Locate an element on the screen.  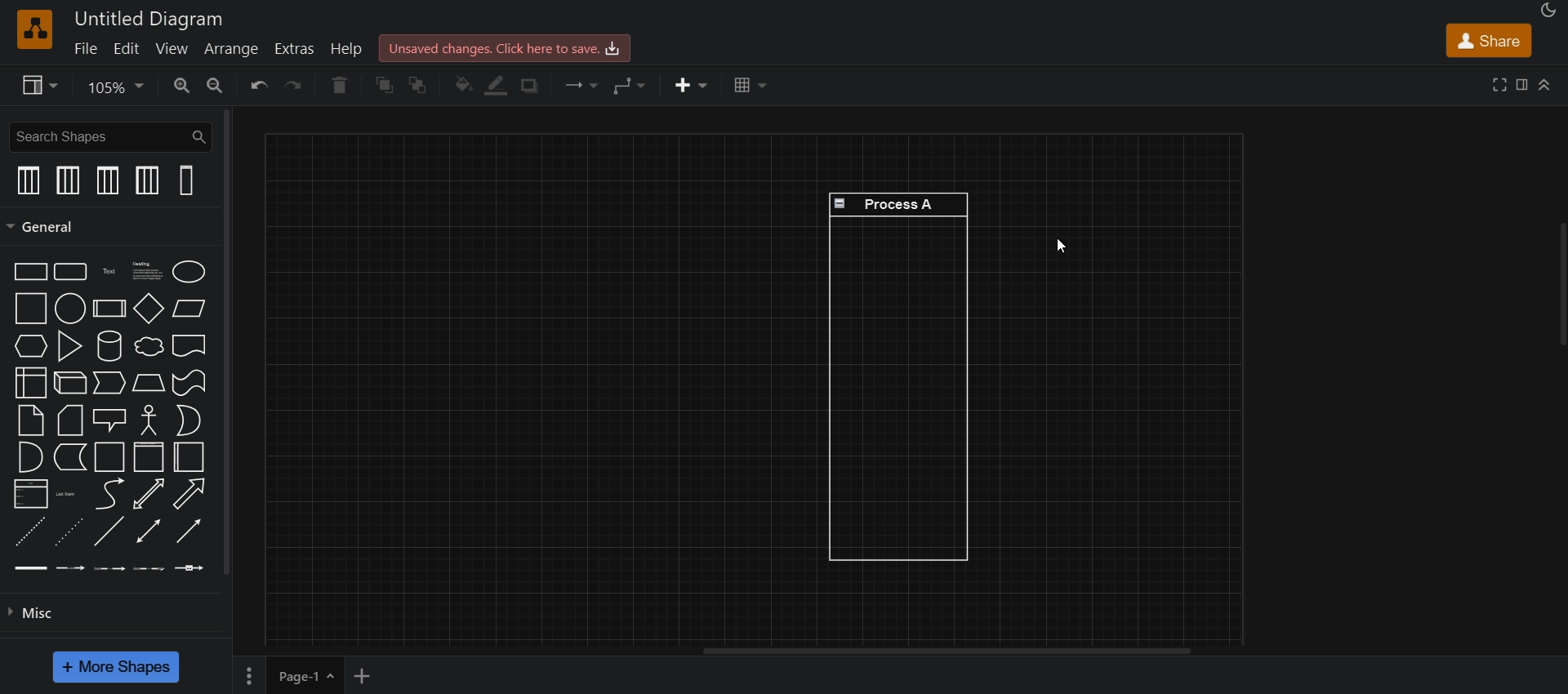
horizontal scroll bar is located at coordinates (946, 652).